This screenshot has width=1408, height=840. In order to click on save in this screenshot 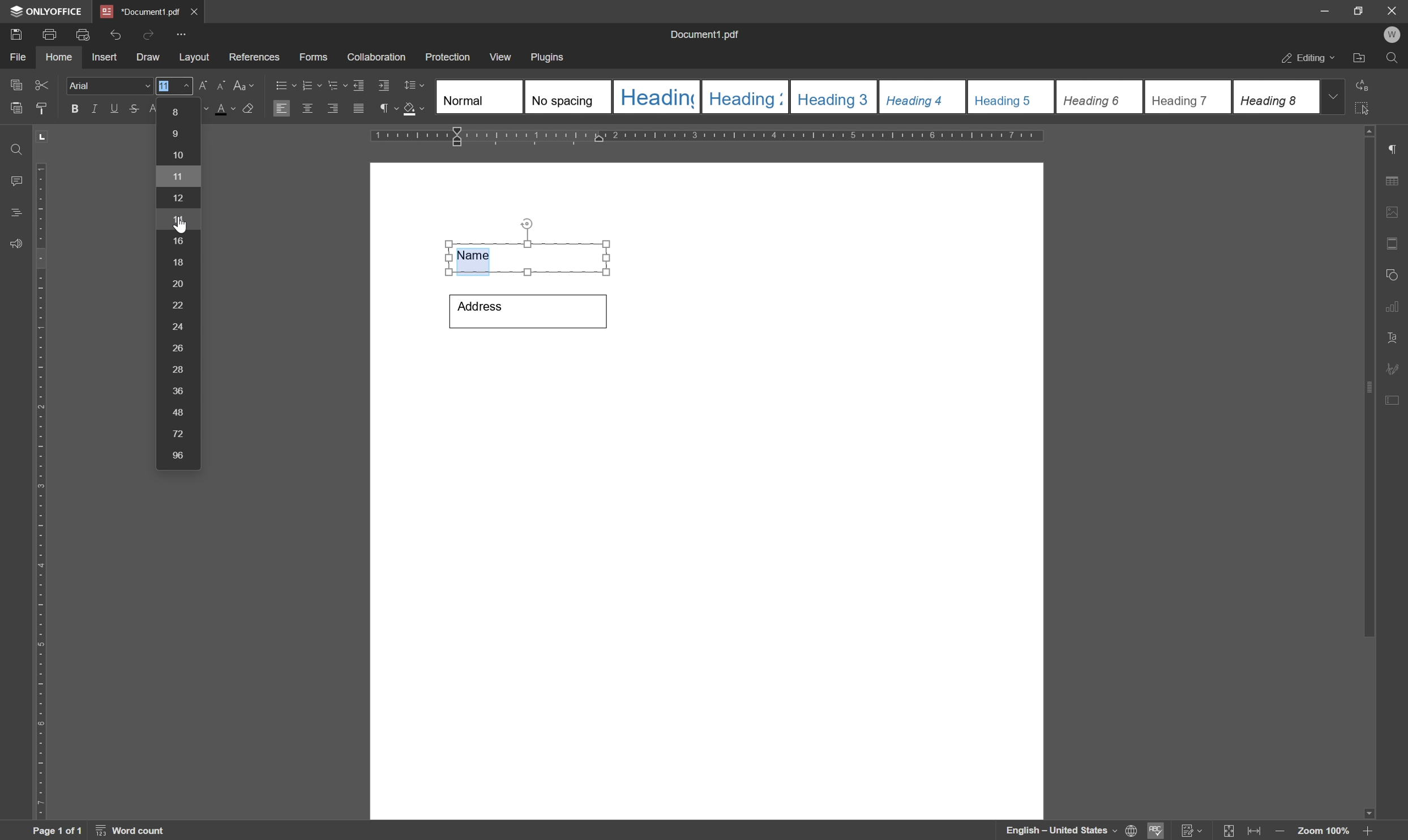, I will do `click(15, 33)`.